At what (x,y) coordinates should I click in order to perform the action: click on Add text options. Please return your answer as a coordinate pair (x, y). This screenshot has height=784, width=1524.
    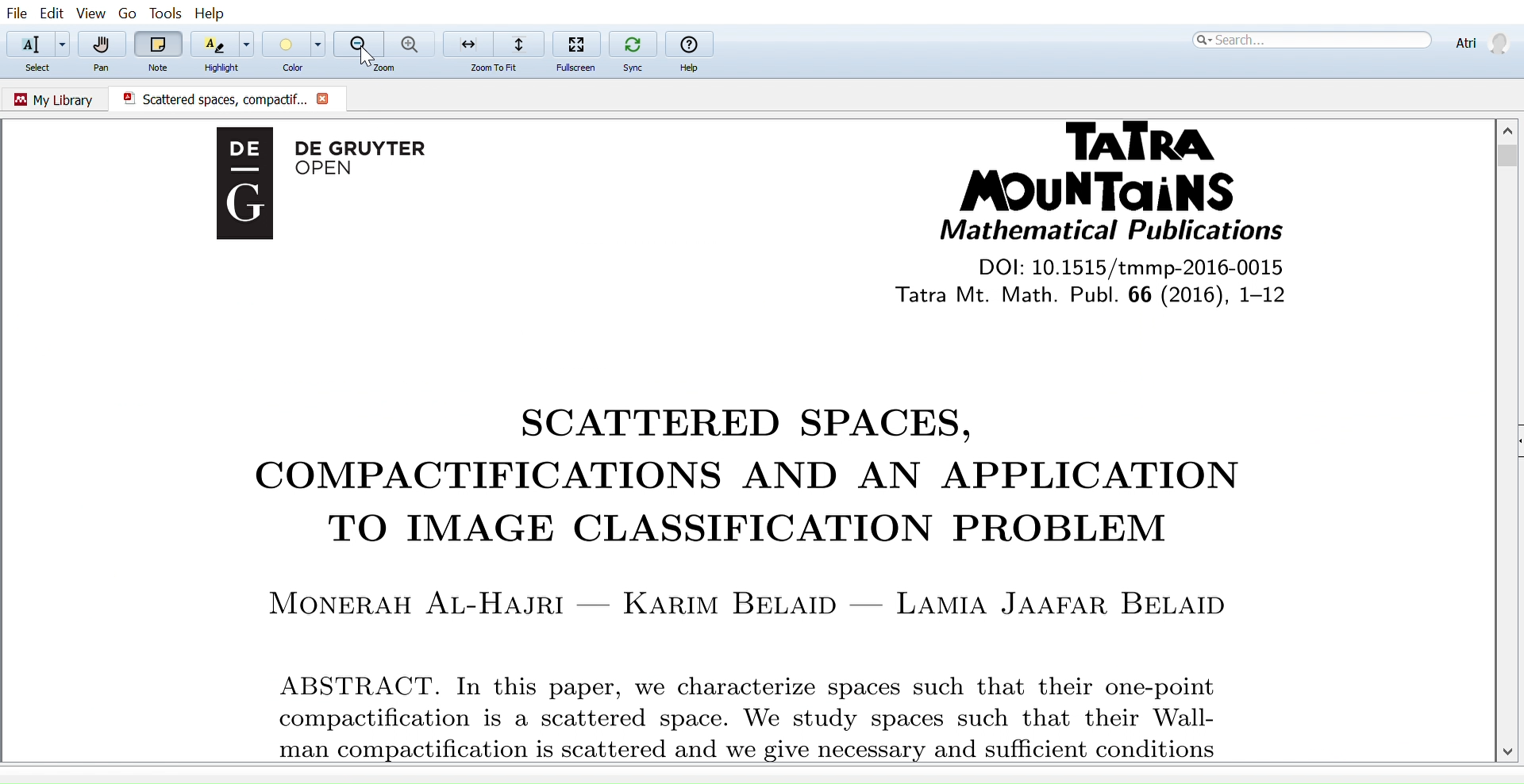
    Looking at the image, I should click on (63, 44).